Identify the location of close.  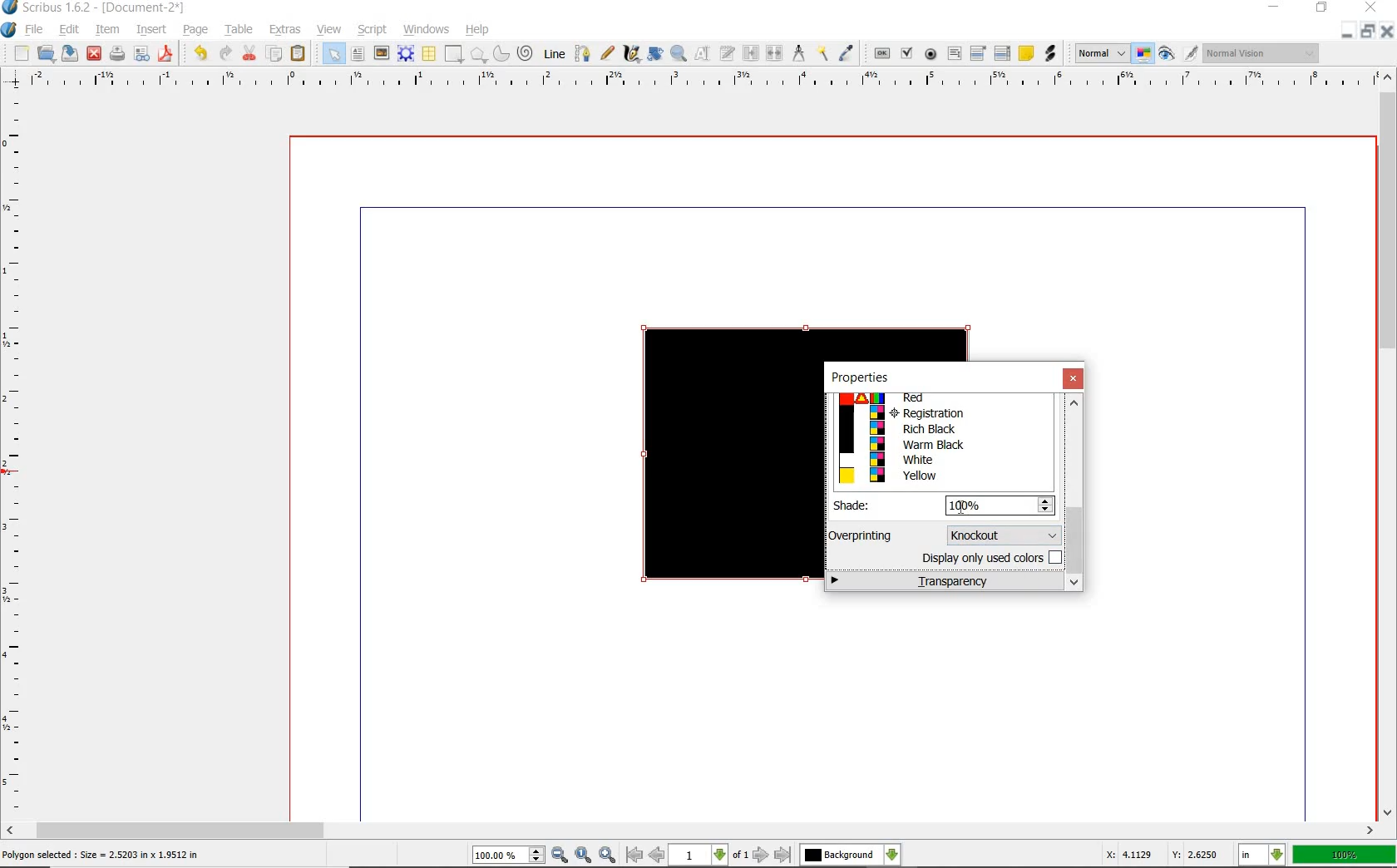
(93, 55).